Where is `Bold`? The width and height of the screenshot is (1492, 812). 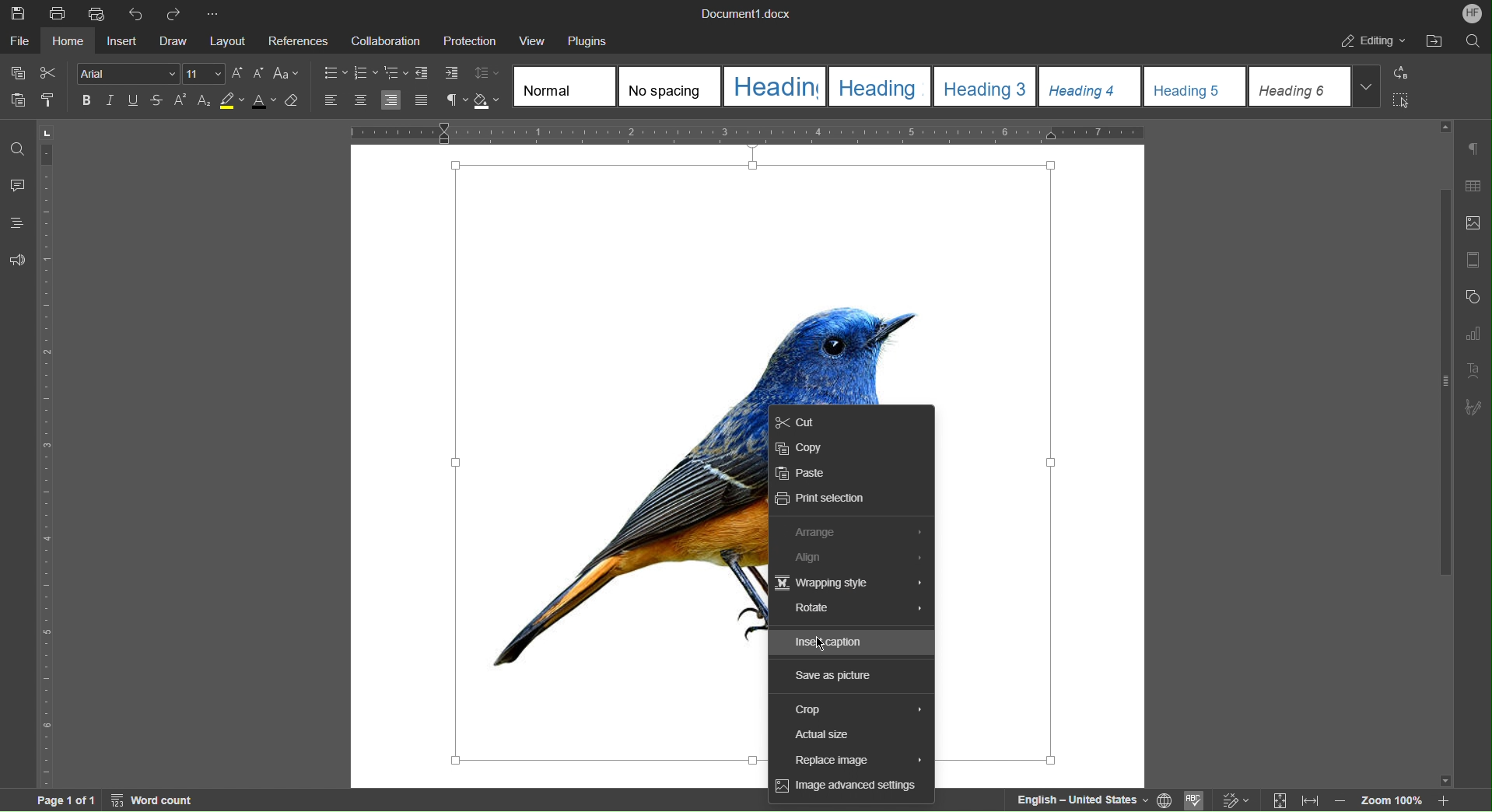
Bold is located at coordinates (88, 100).